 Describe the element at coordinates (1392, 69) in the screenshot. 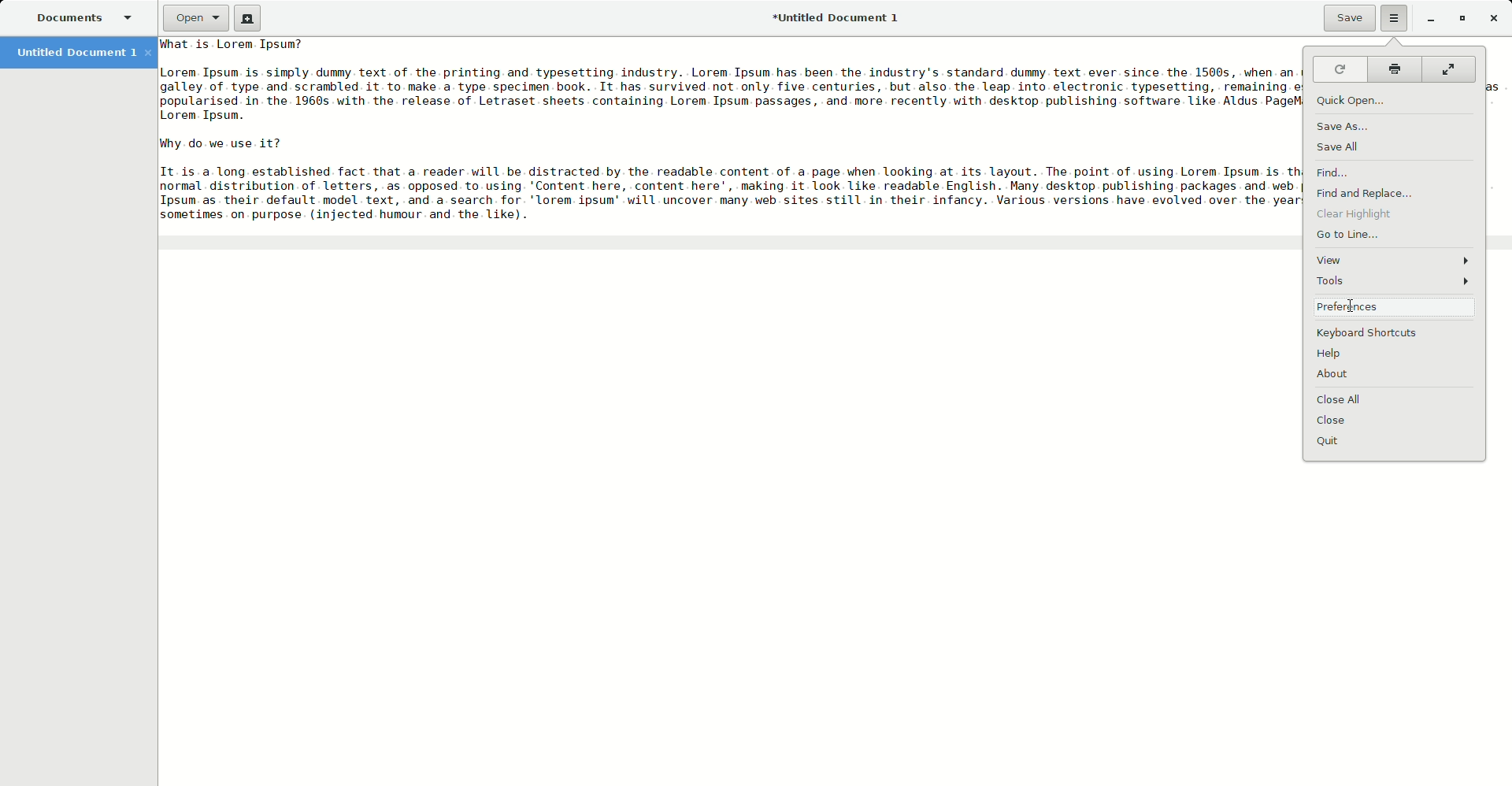

I see `Print` at that location.